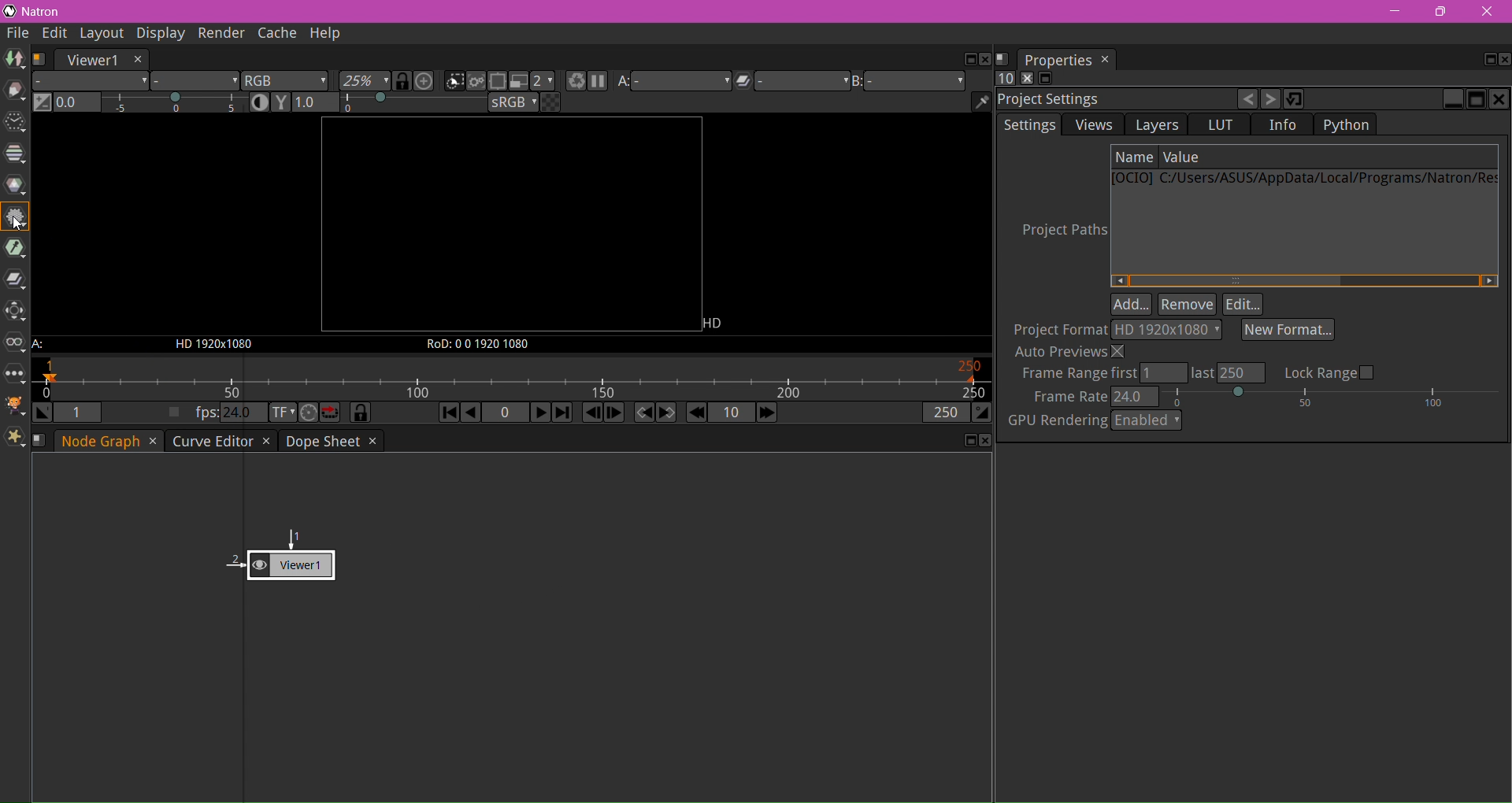  I want to click on Layout, so click(101, 35).